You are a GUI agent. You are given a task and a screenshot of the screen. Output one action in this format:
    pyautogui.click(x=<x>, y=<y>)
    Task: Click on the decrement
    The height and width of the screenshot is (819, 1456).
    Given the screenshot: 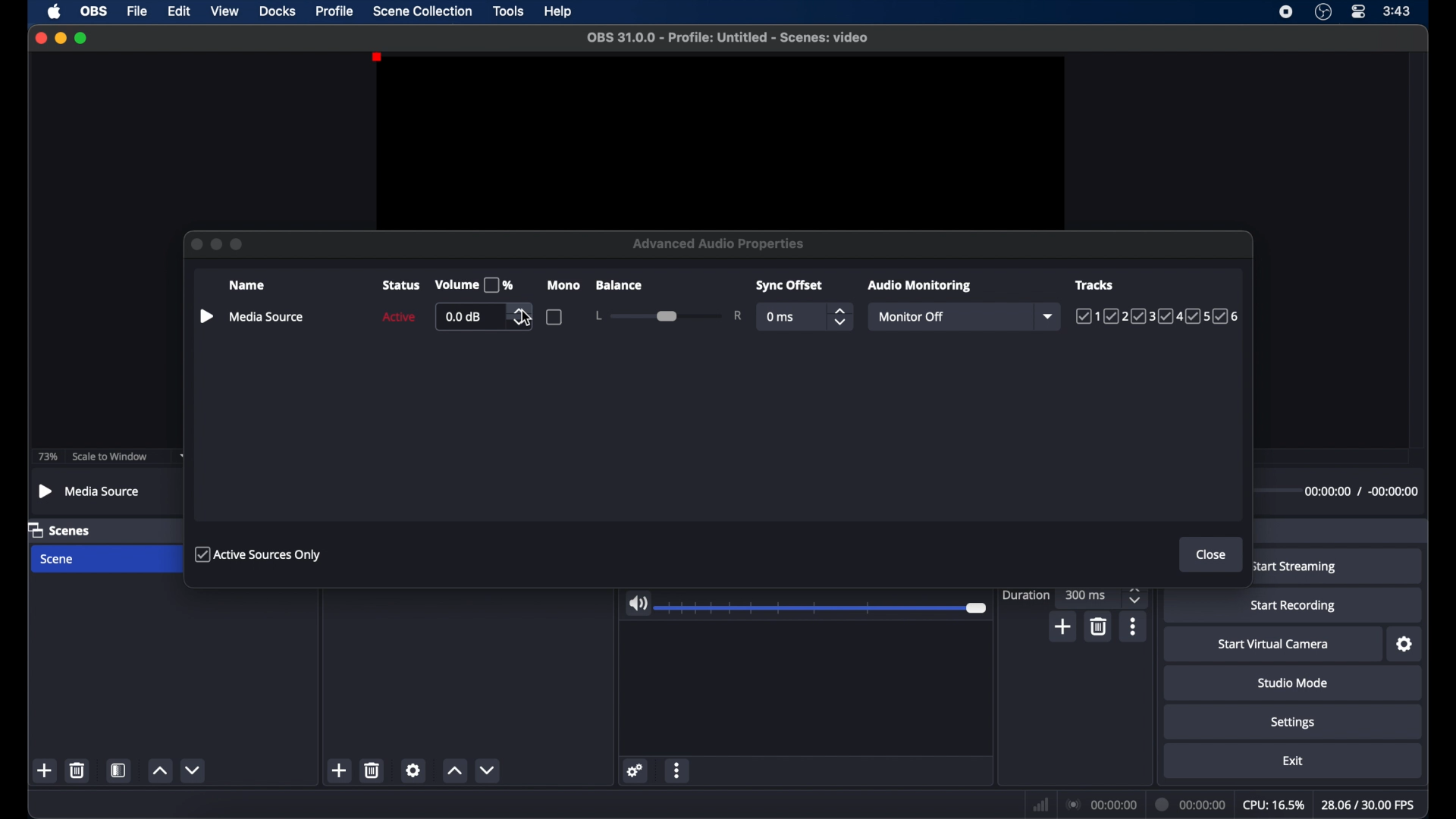 What is the action you would take?
    pyautogui.click(x=194, y=770)
    